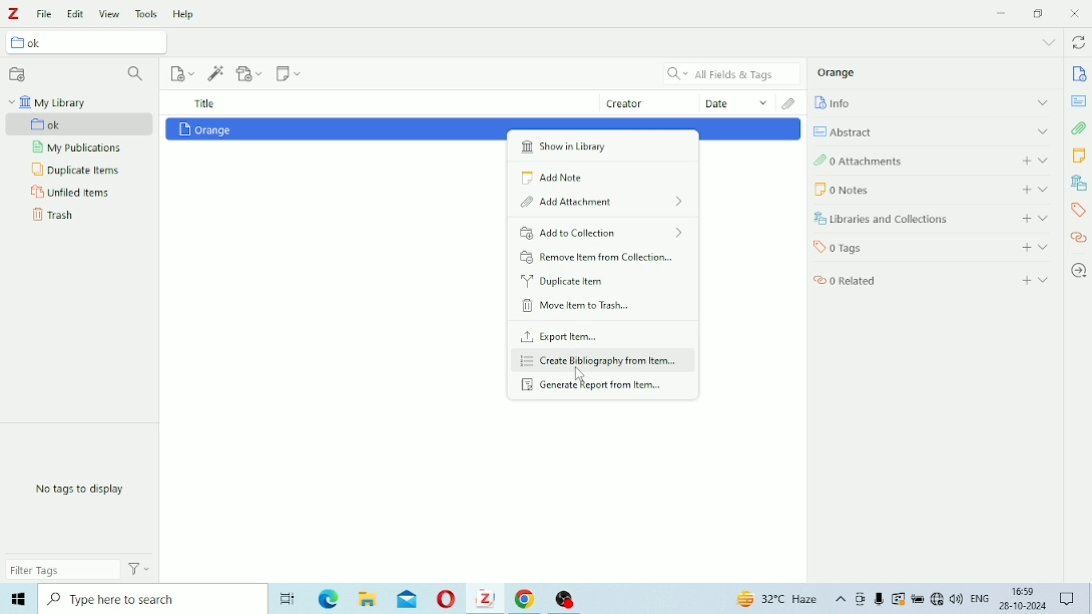 The height and width of the screenshot is (614, 1092). I want to click on Date, so click(737, 102).